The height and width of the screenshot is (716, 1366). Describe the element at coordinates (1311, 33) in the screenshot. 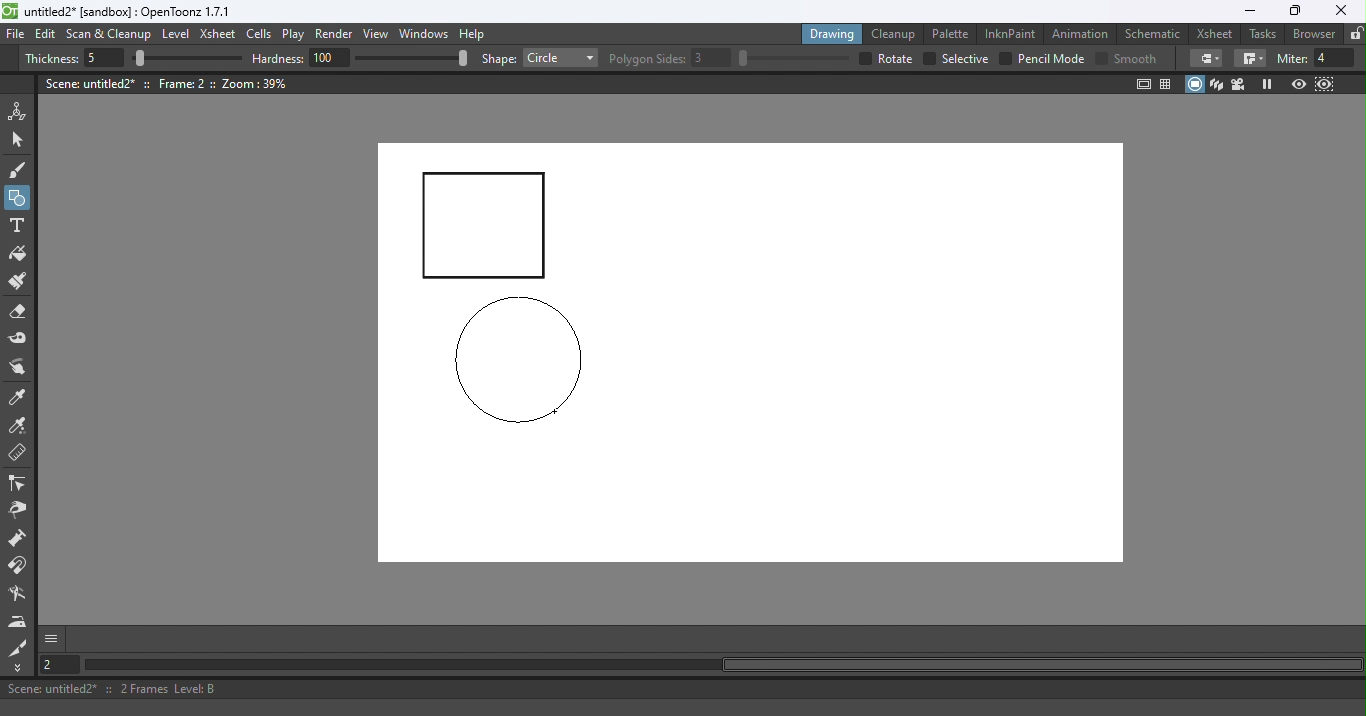

I see `Browser` at that location.